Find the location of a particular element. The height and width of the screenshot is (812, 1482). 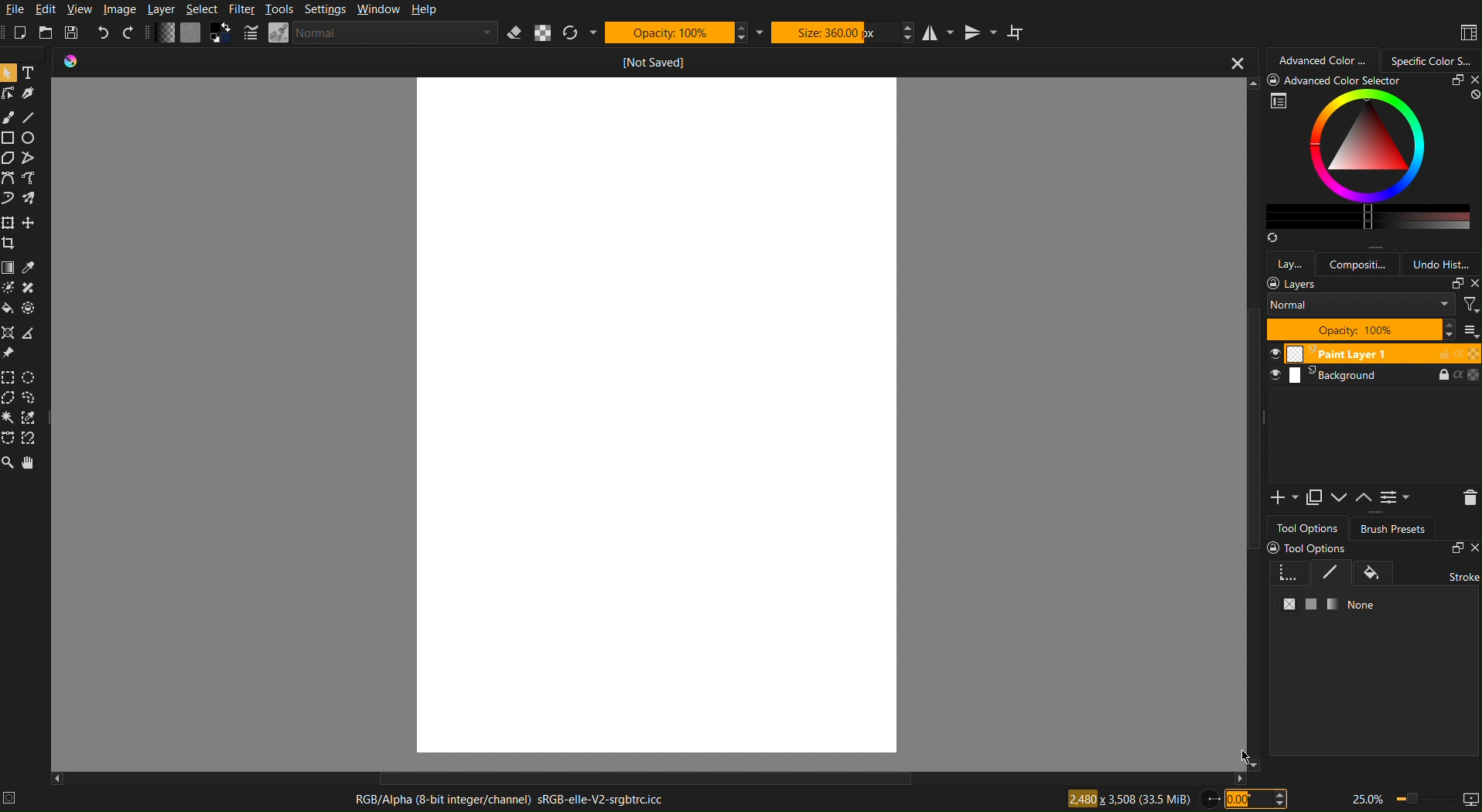

View is located at coordinates (80, 9).